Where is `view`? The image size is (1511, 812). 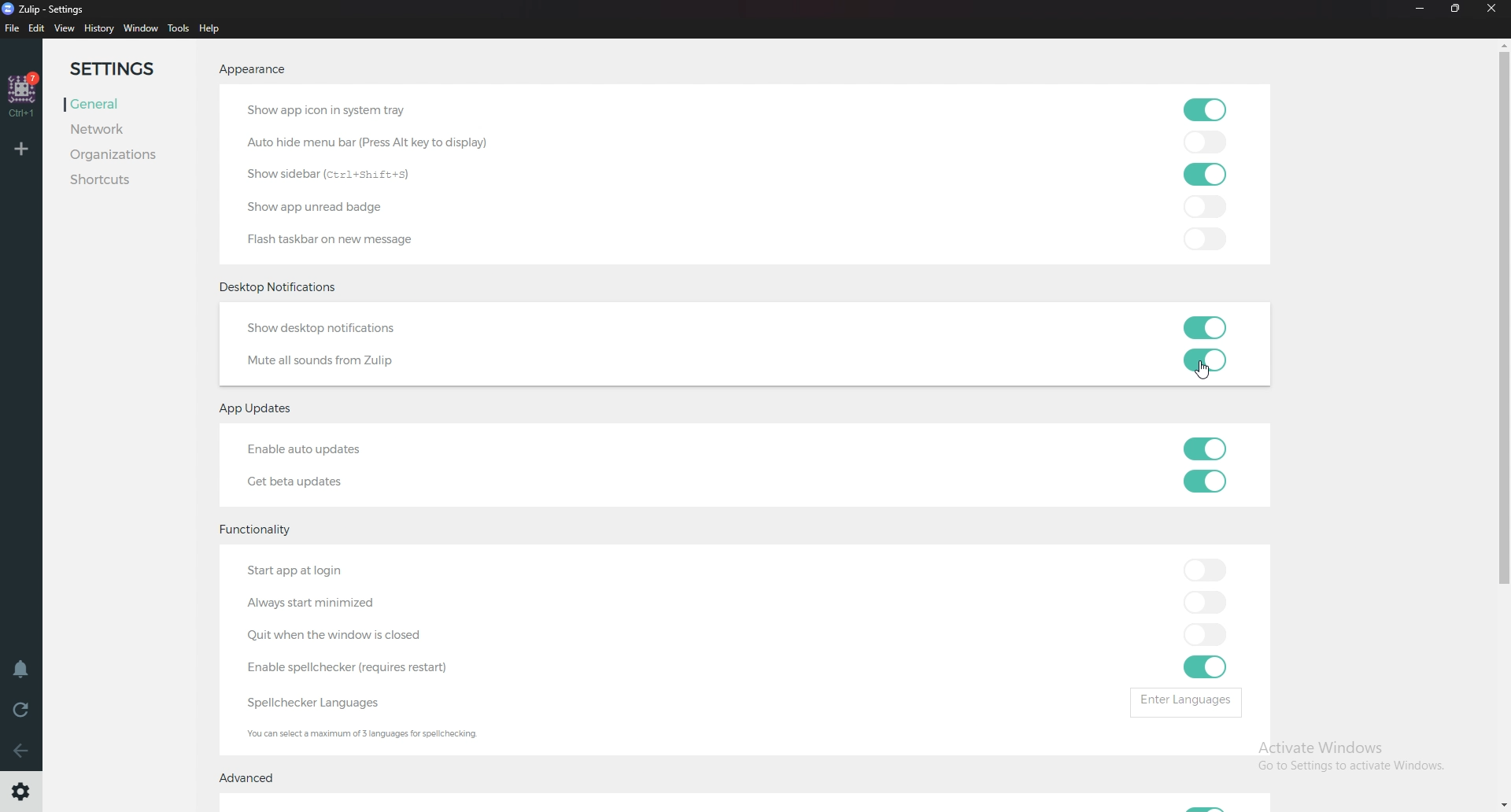
view is located at coordinates (65, 29).